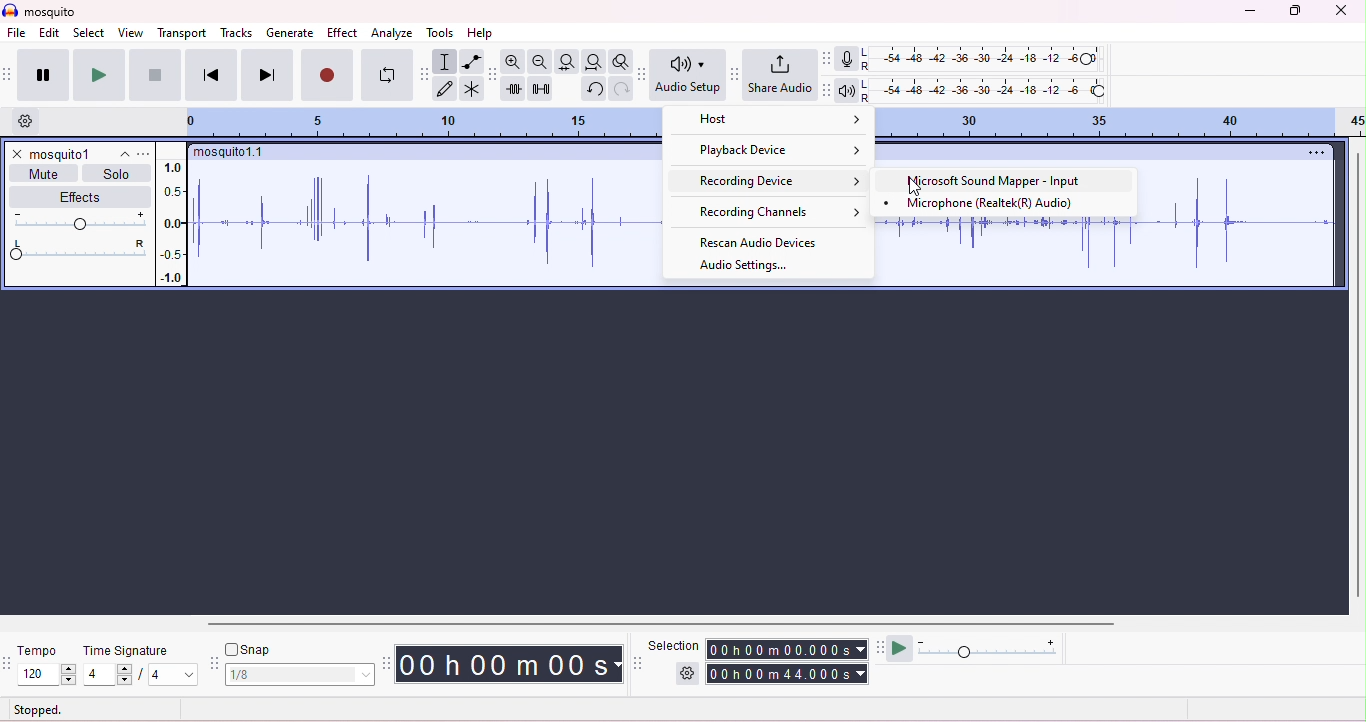 The height and width of the screenshot is (722, 1366). I want to click on audio set up, so click(688, 75).